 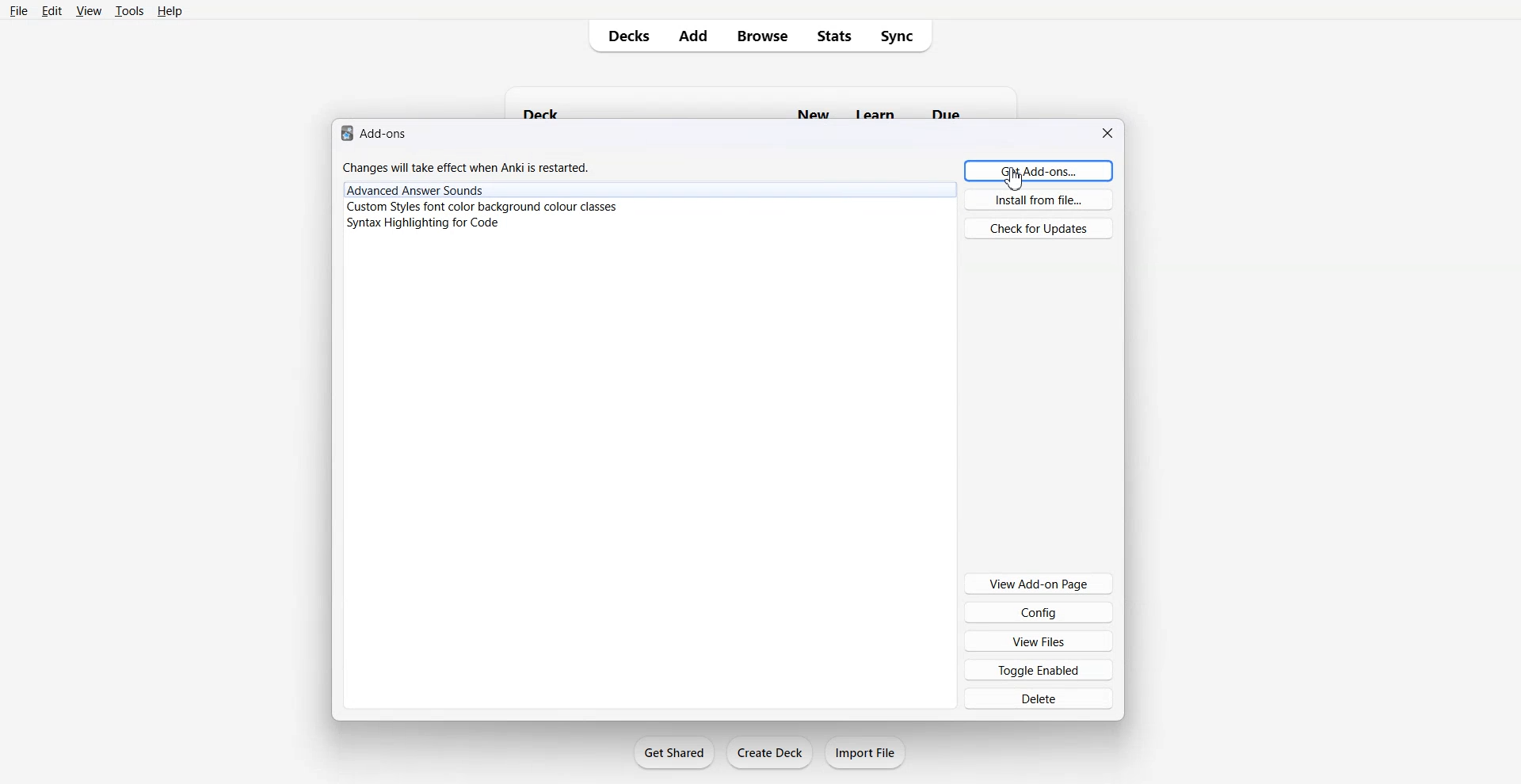 I want to click on Install from file, so click(x=1039, y=200).